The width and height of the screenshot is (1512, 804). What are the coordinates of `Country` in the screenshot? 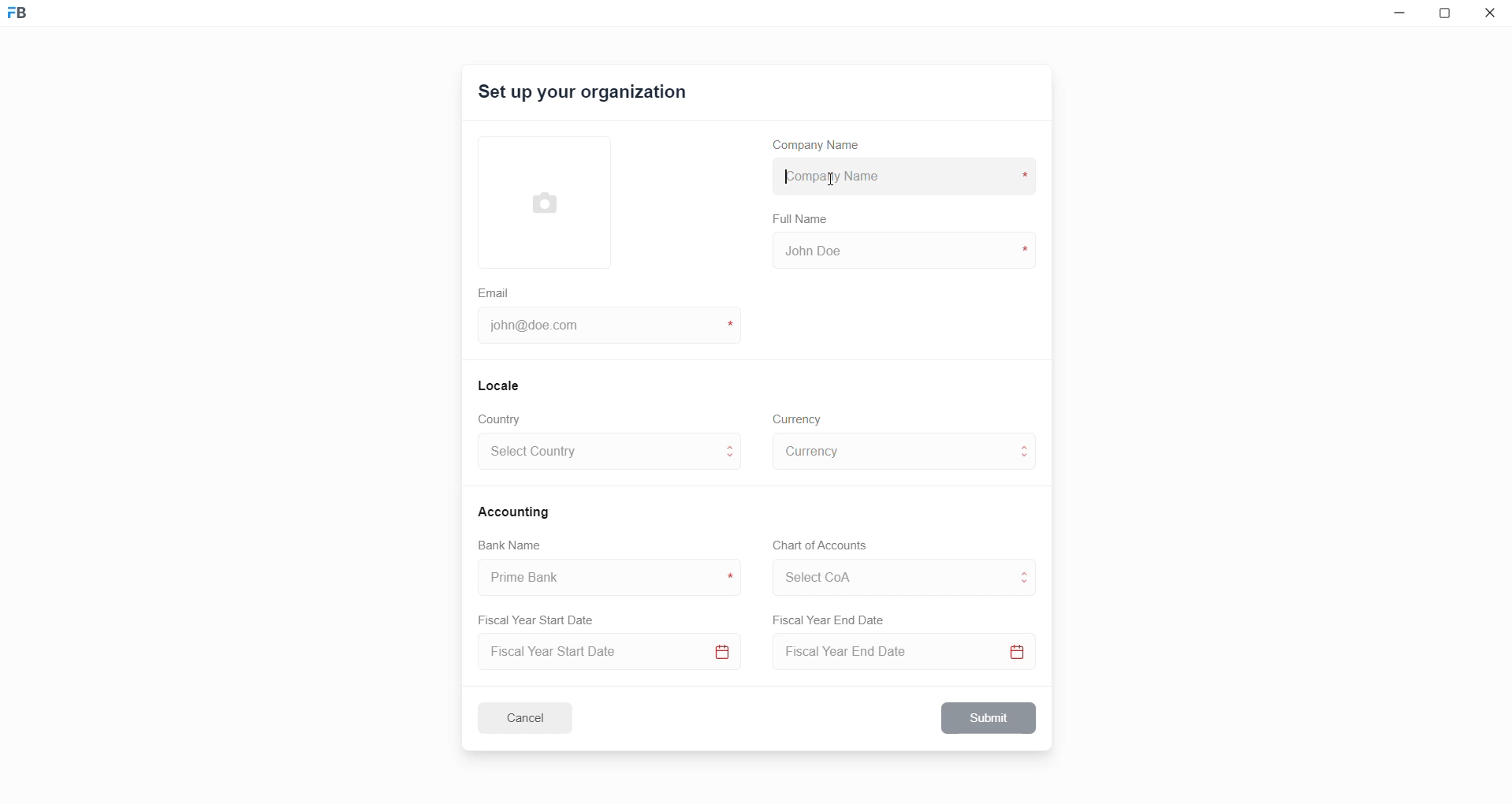 It's located at (503, 419).